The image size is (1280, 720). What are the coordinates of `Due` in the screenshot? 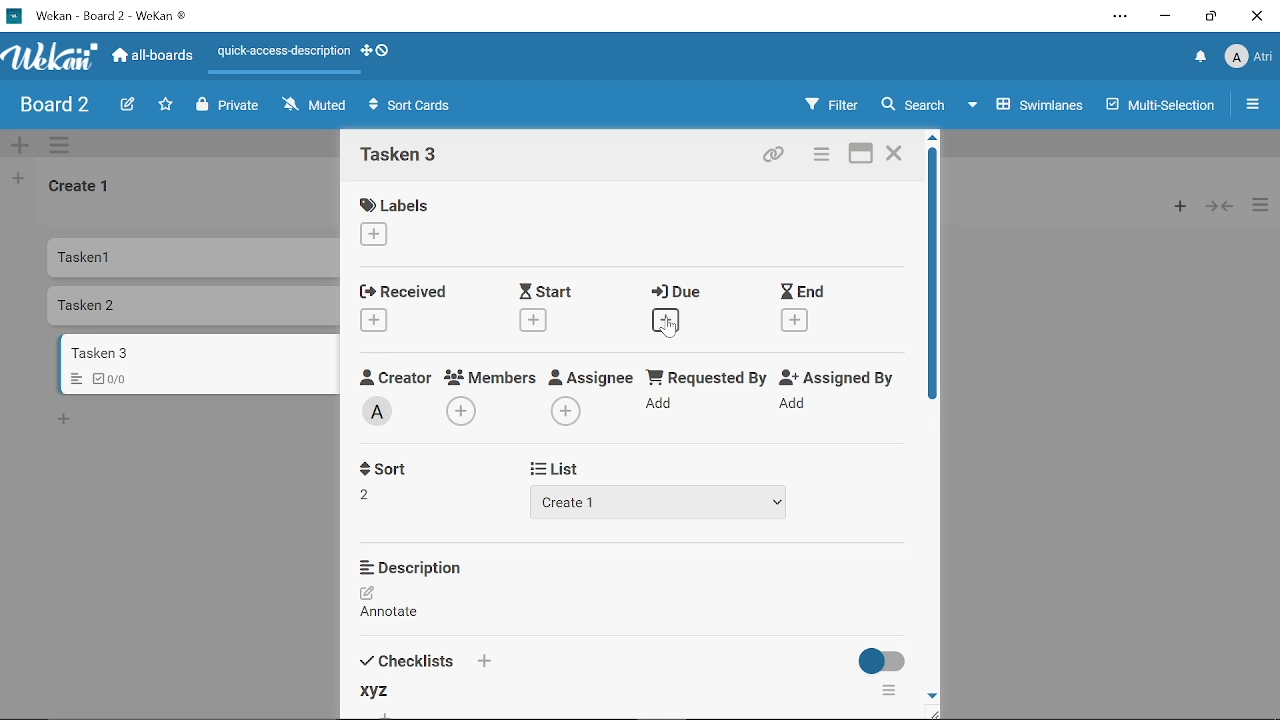 It's located at (675, 293).